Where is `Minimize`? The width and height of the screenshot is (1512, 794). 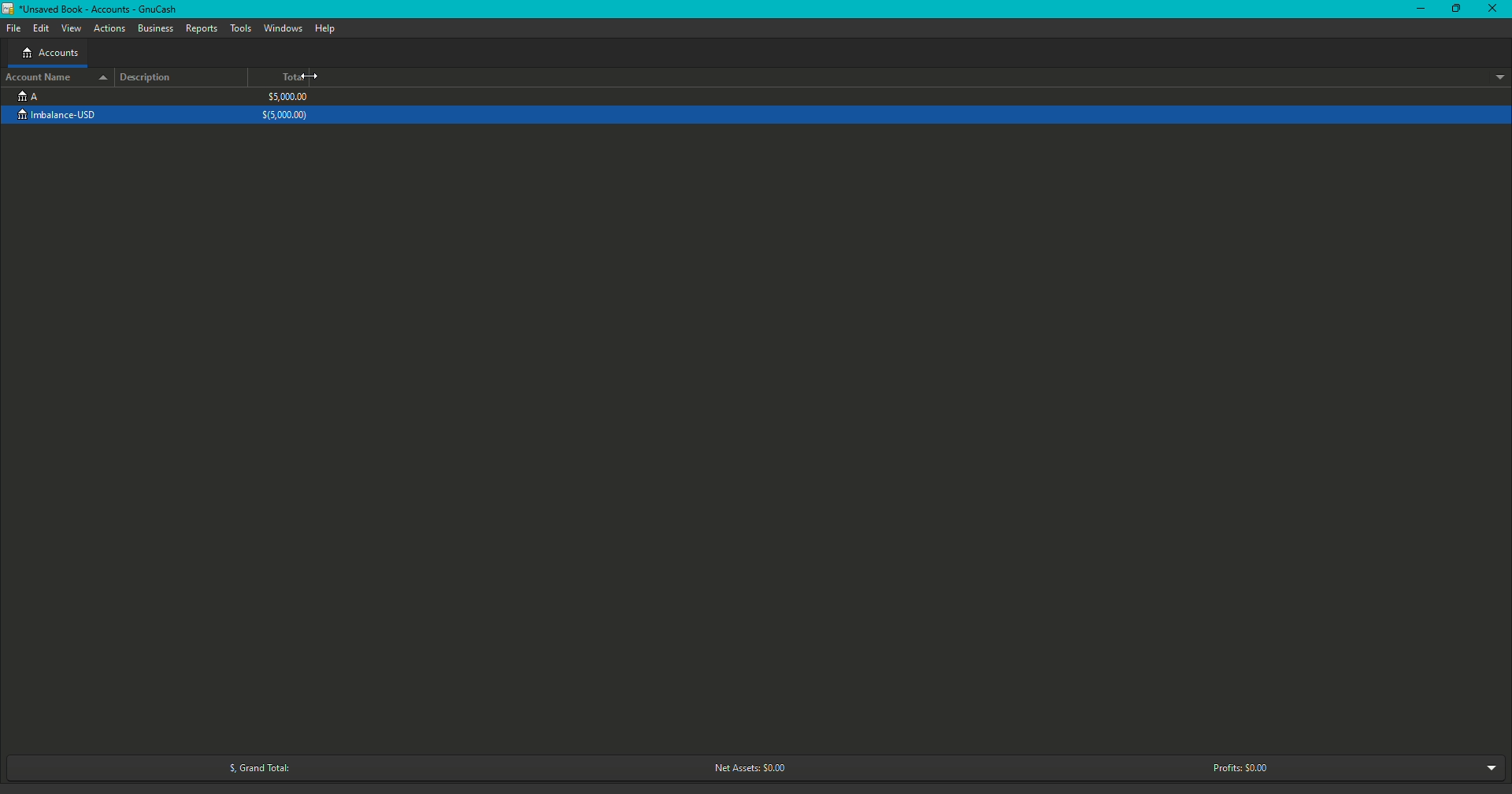
Minimize is located at coordinates (1421, 9).